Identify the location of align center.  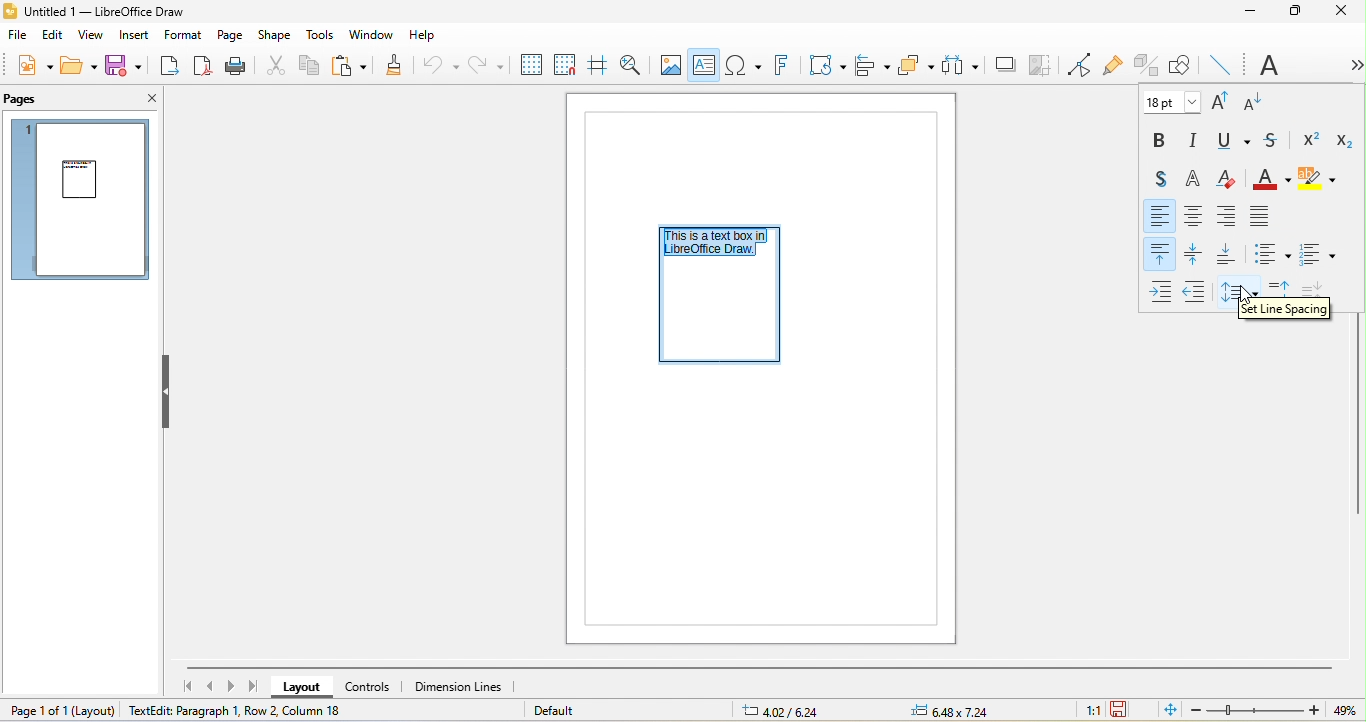
(1196, 215).